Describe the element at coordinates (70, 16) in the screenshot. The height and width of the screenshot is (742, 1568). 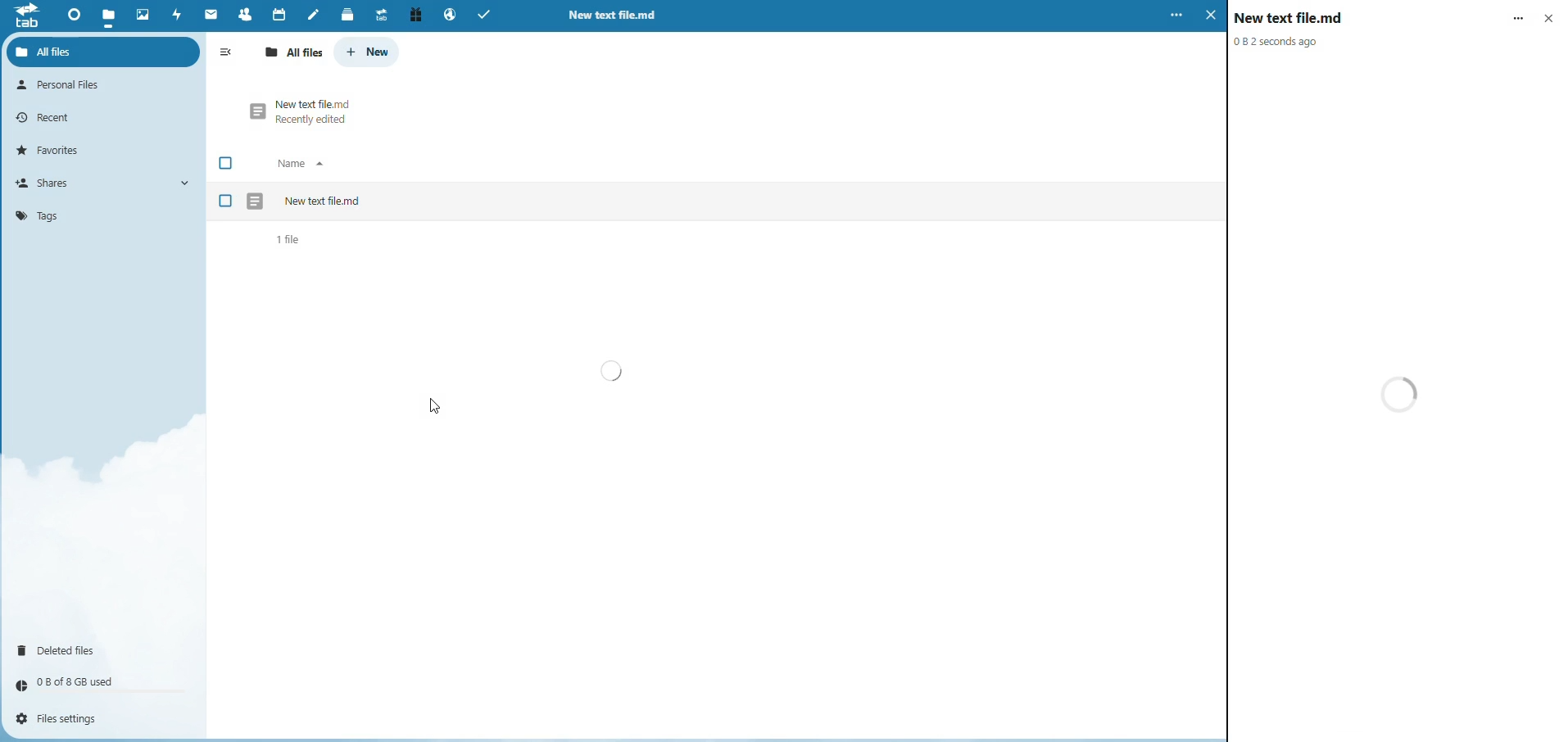
I see `dashboard` at that location.